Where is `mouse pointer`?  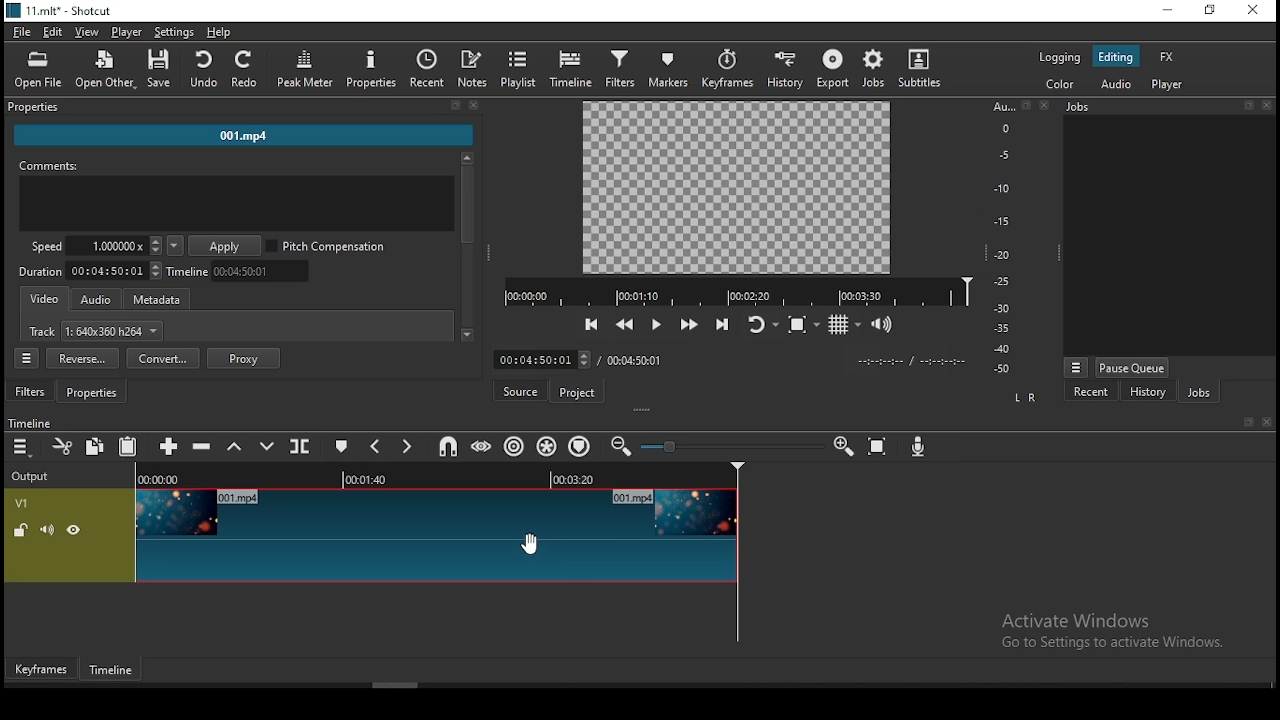
mouse pointer is located at coordinates (530, 545).